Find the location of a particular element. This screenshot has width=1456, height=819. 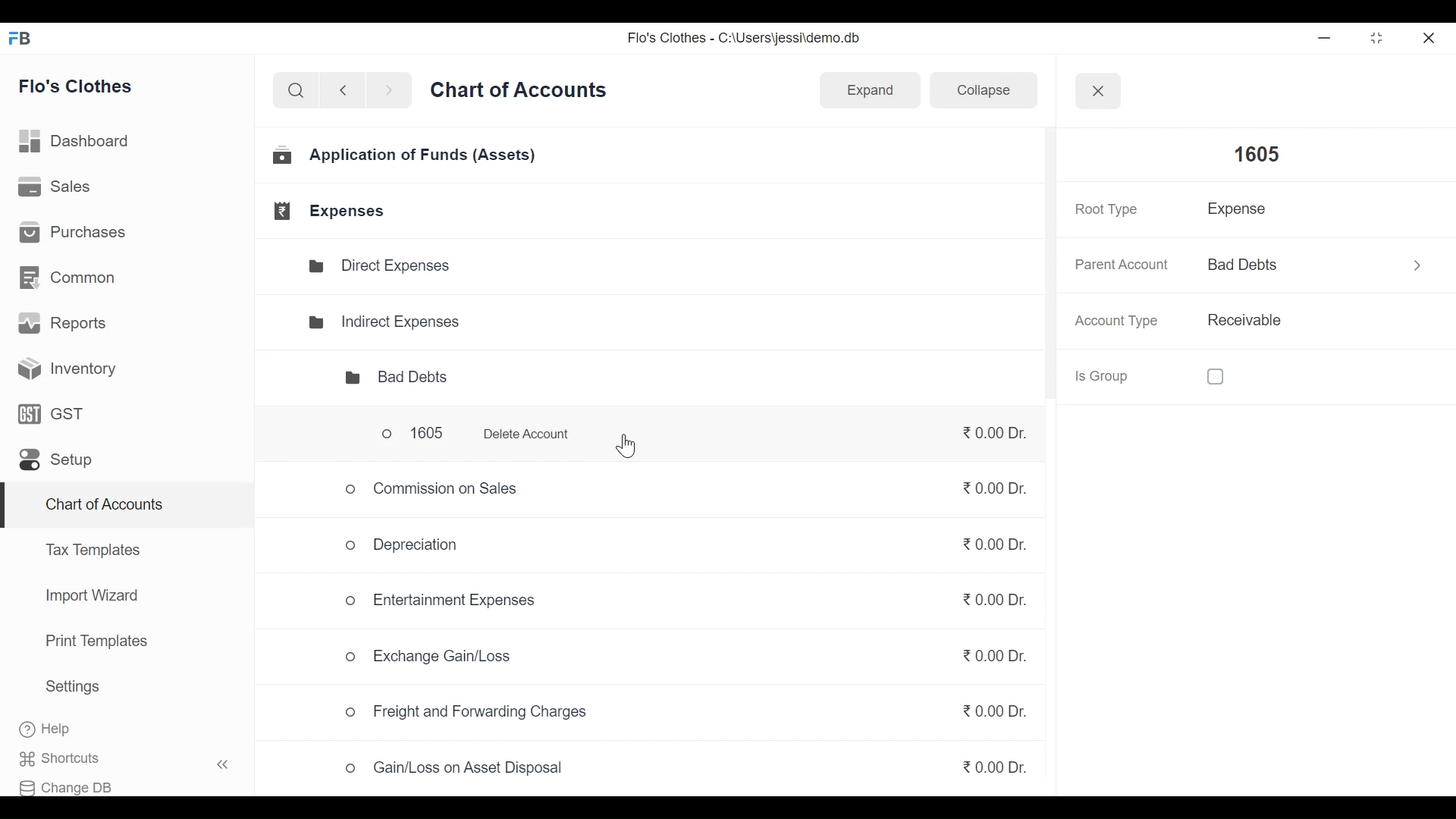

₹0.00 Dr. is located at coordinates (990, 550).